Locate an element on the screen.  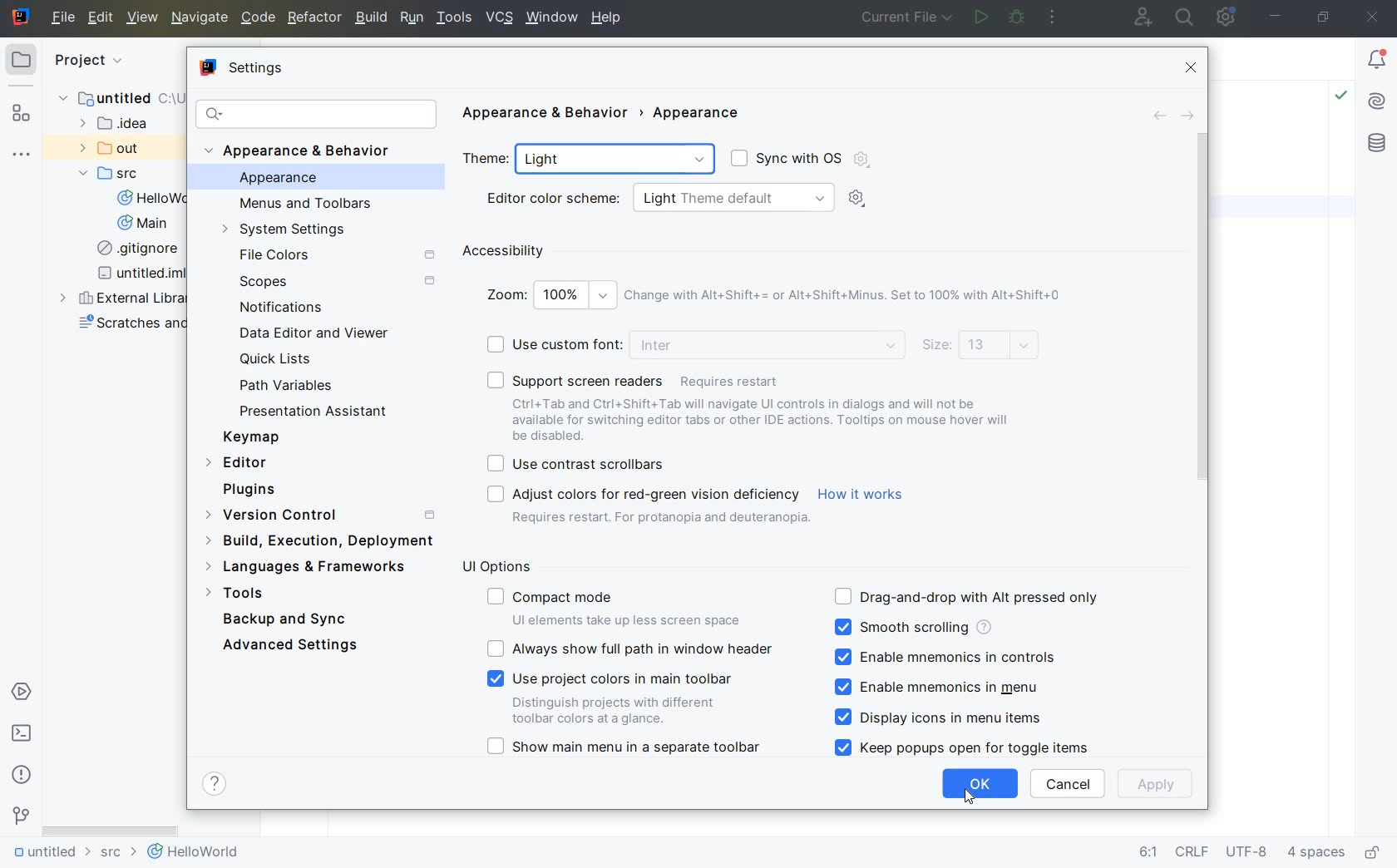
Appearance & Behavior » Appearance is located at coordinates (618, 111).